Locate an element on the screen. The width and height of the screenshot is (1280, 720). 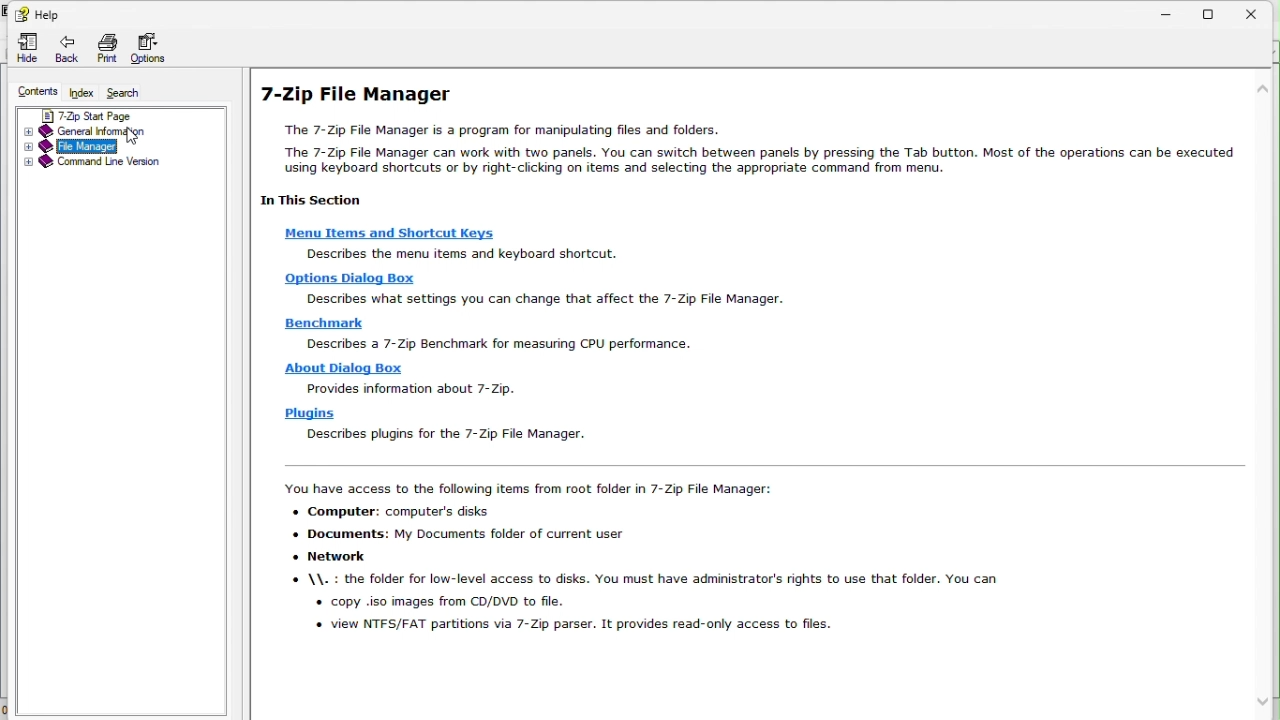
Help  is located at coordinates (43, 12).